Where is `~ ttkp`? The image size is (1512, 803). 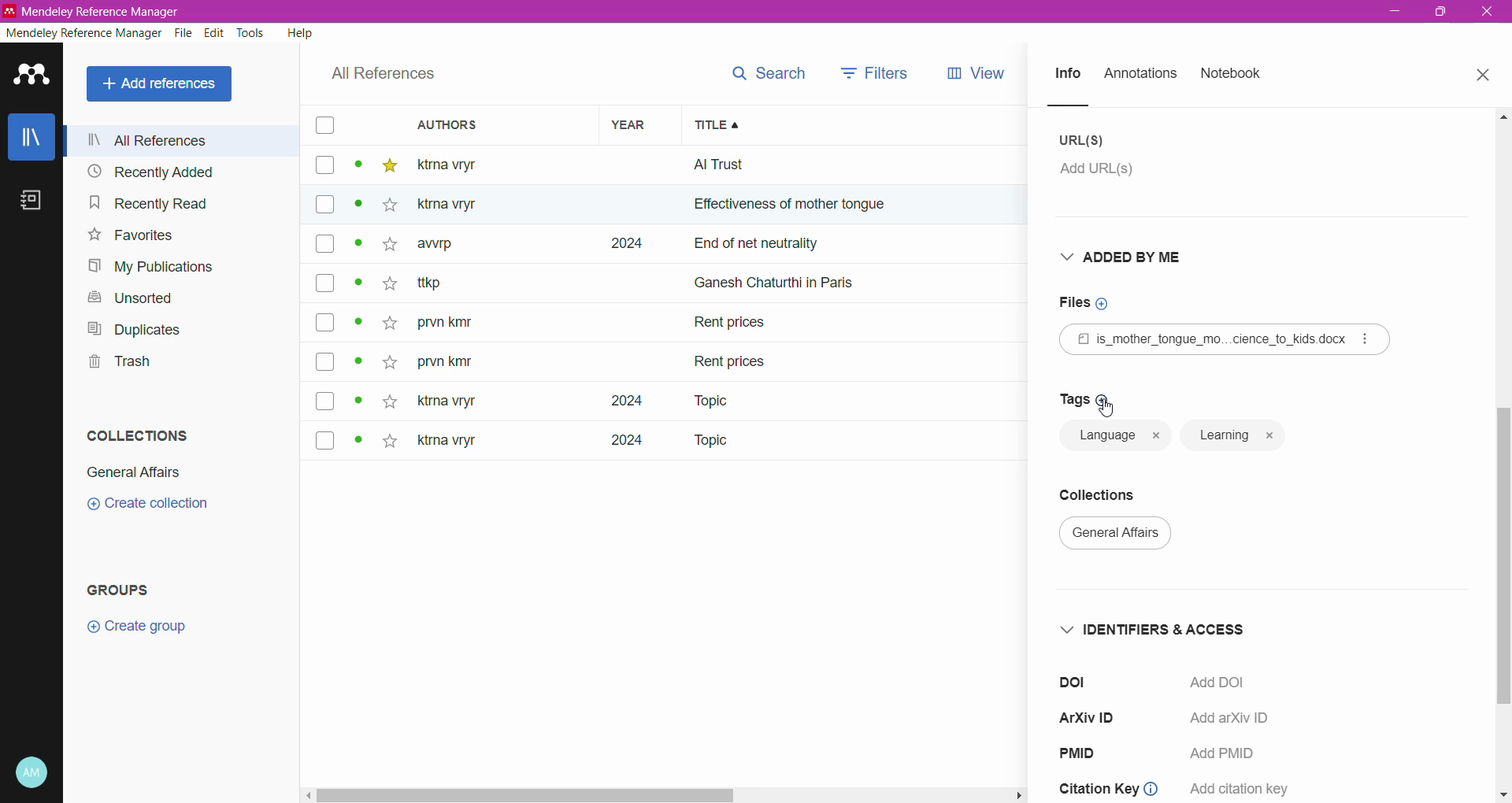 ~ ttkp is located at coordinates (455, 283).